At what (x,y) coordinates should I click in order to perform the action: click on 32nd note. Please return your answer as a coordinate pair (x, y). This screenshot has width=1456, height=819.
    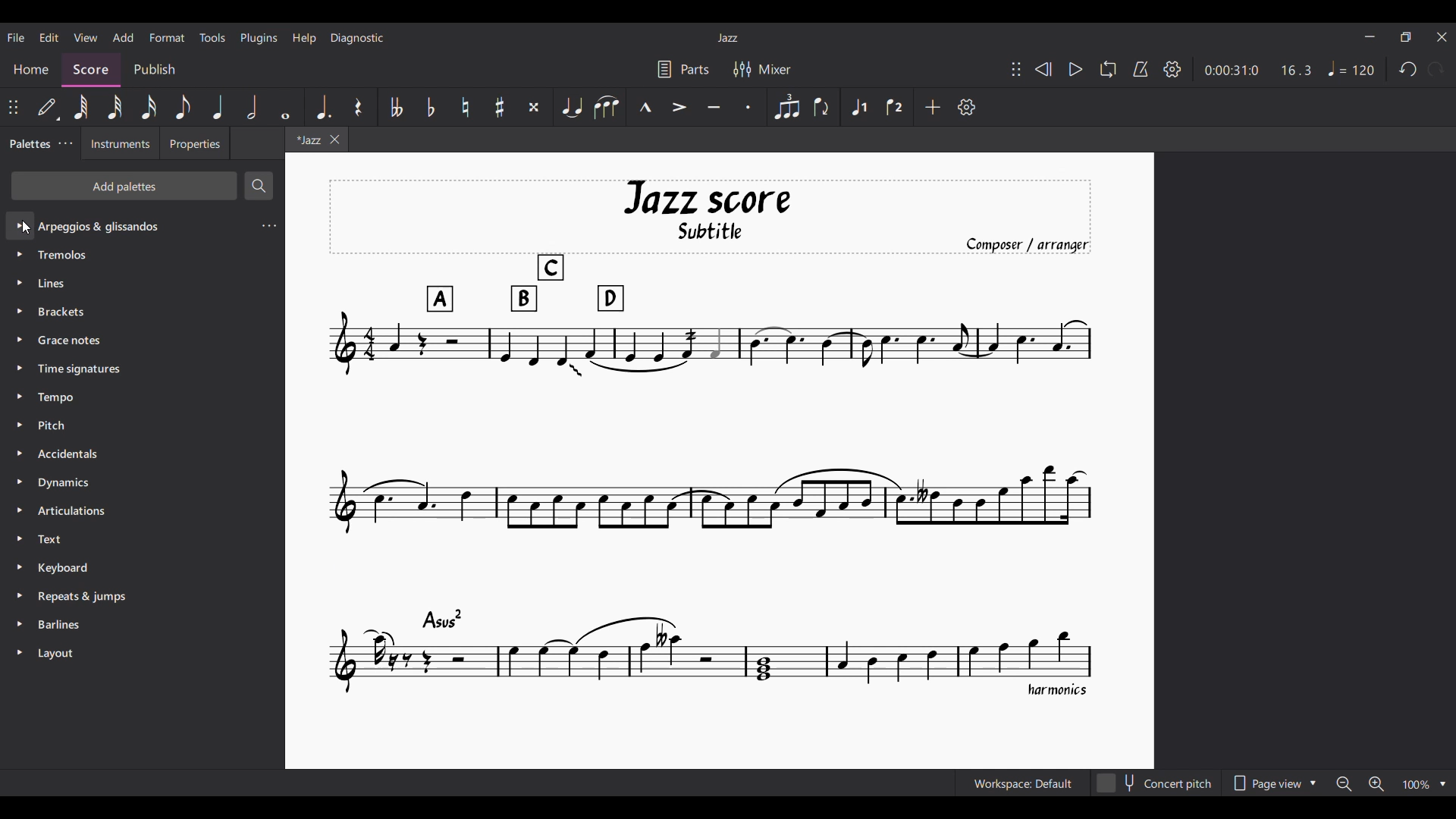
    Looking at the image, I should click on (115, 108).